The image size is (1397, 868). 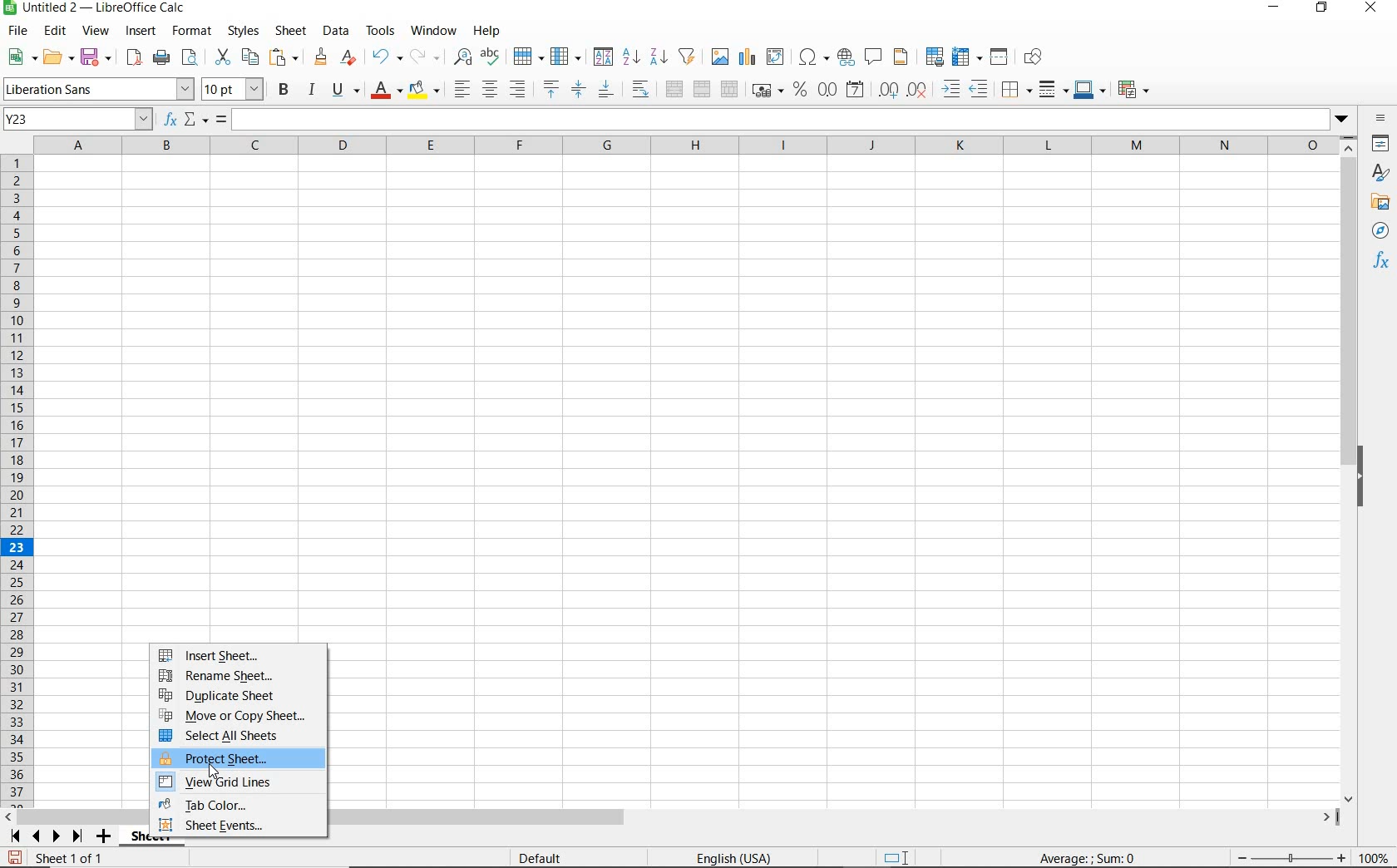 What do you see at coordinates (347, 57) in the screenshot?
I see `CLEAR DIRECT FORMATTING` at bounding box center [347, 57].